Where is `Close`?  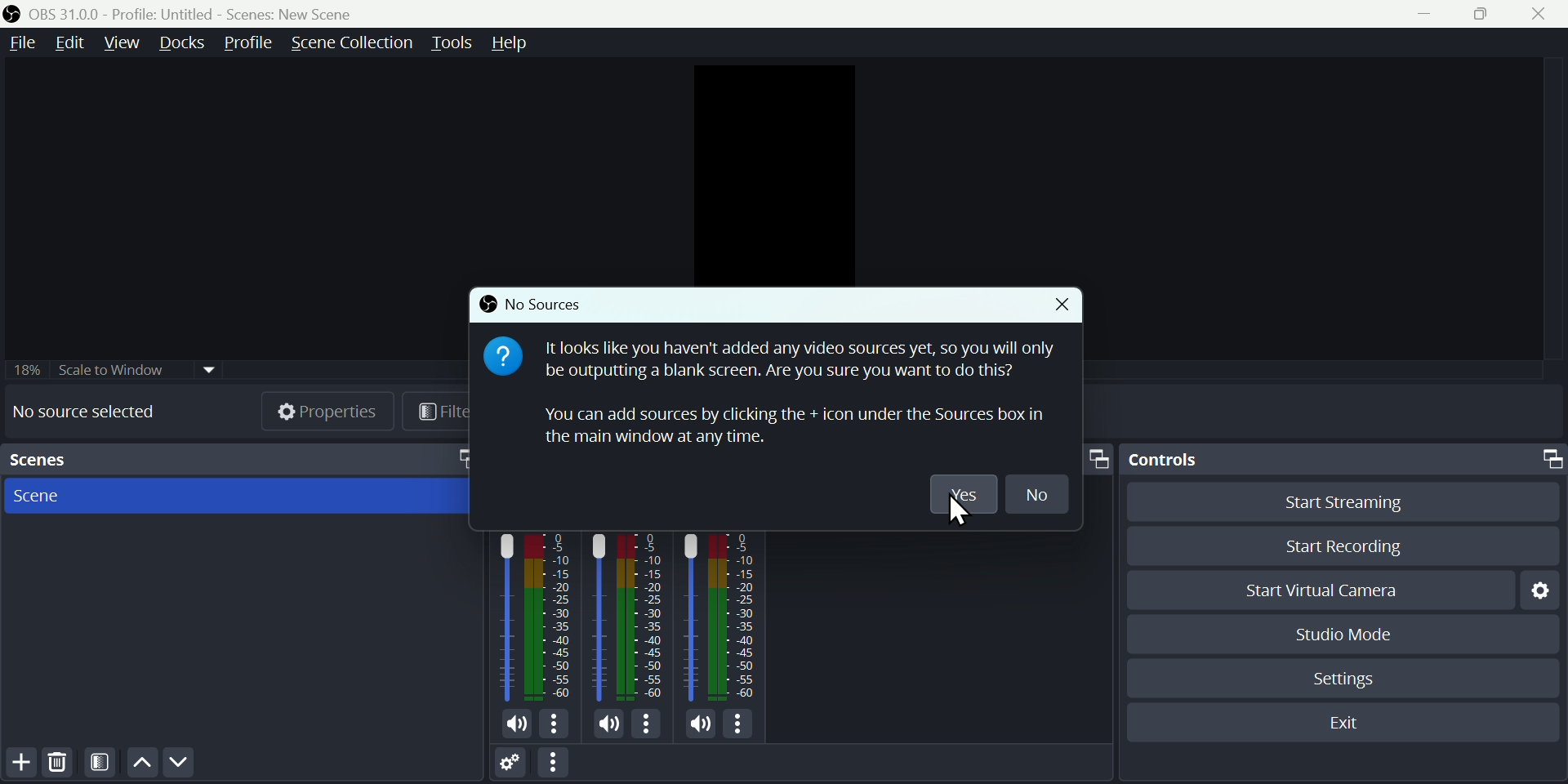 Close is located at coordinates (1063, 305).